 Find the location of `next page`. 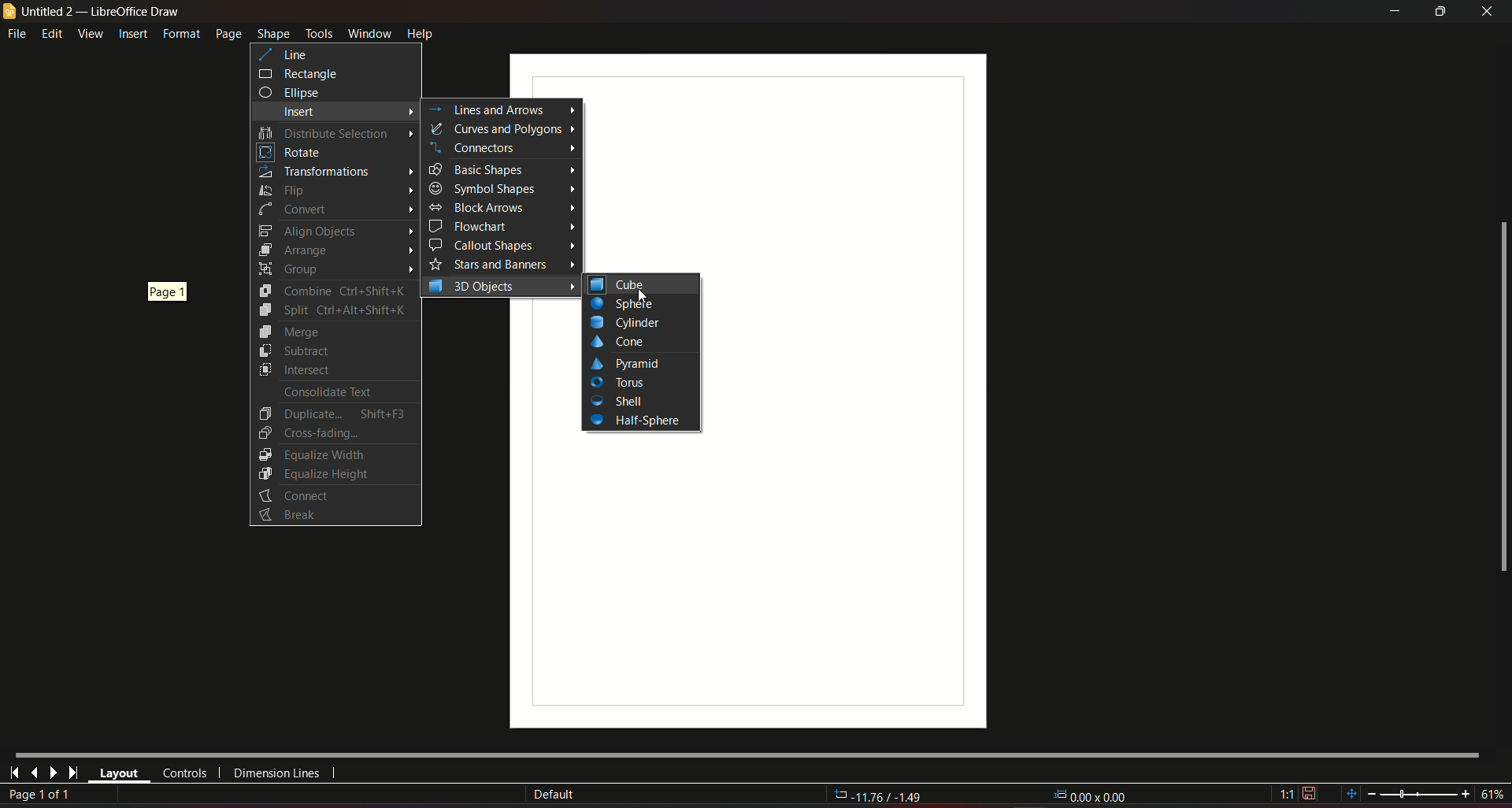

next page is located at coordinates (53, 773).